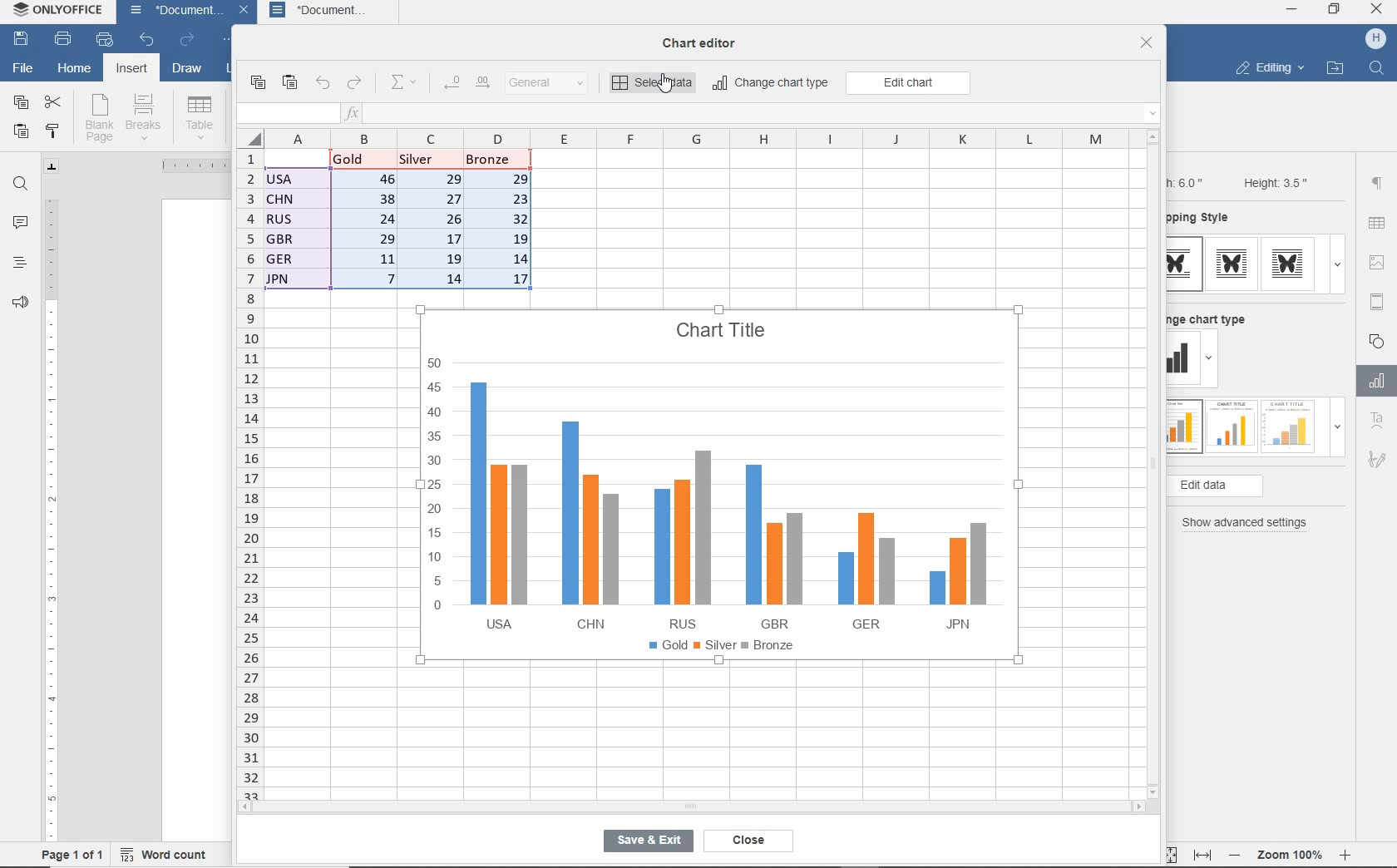 The height and width of the screenshot is (868, 1397). Describe the element at coordinates (1377, 183) in the screenshot. I see `paragraph settings` at that location.